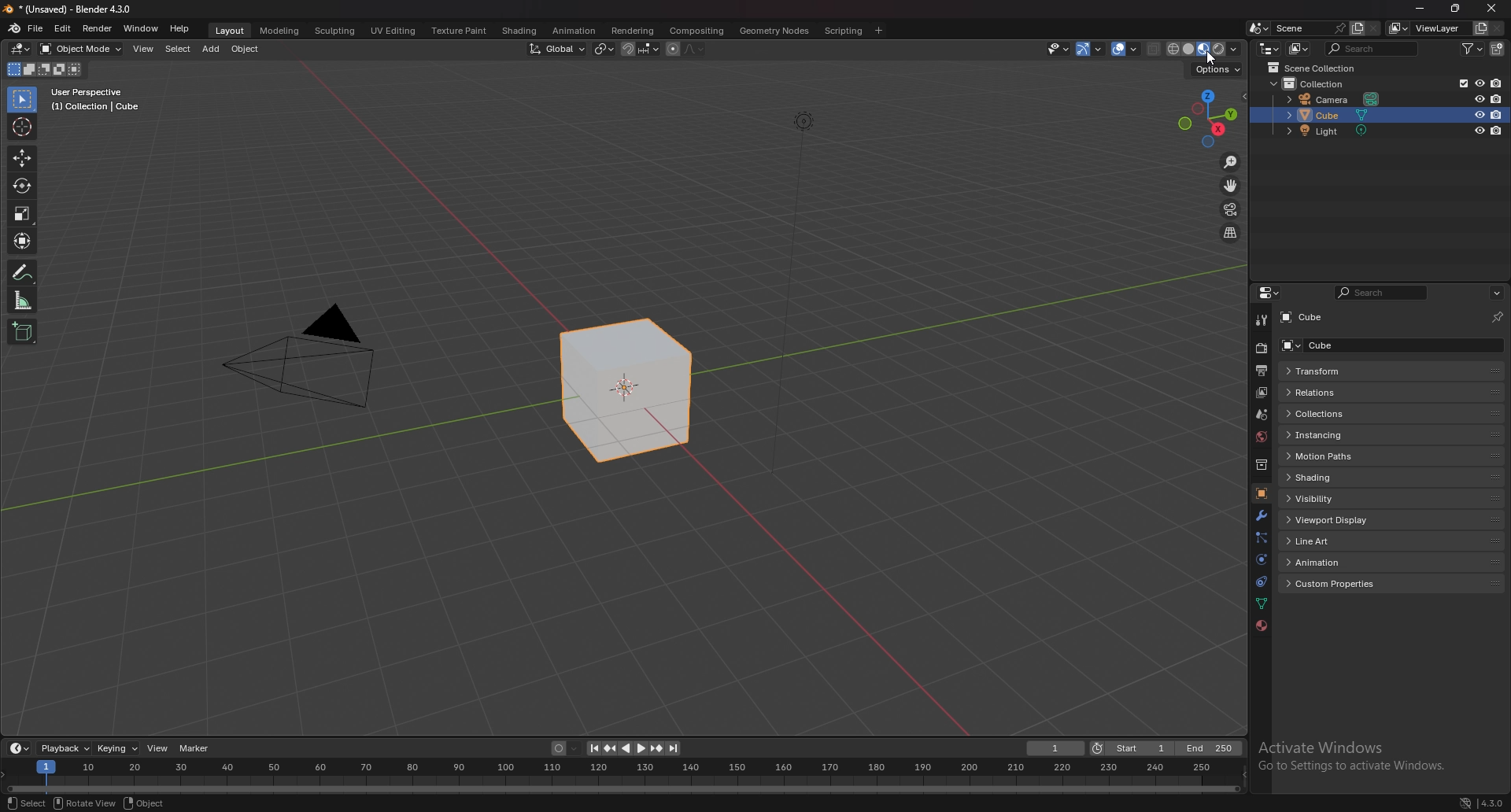 The width and height of the screenshot is (1511, 812). Describe the element at coordinates (1317, 316) in the screenshot. I see `cube` at that location.